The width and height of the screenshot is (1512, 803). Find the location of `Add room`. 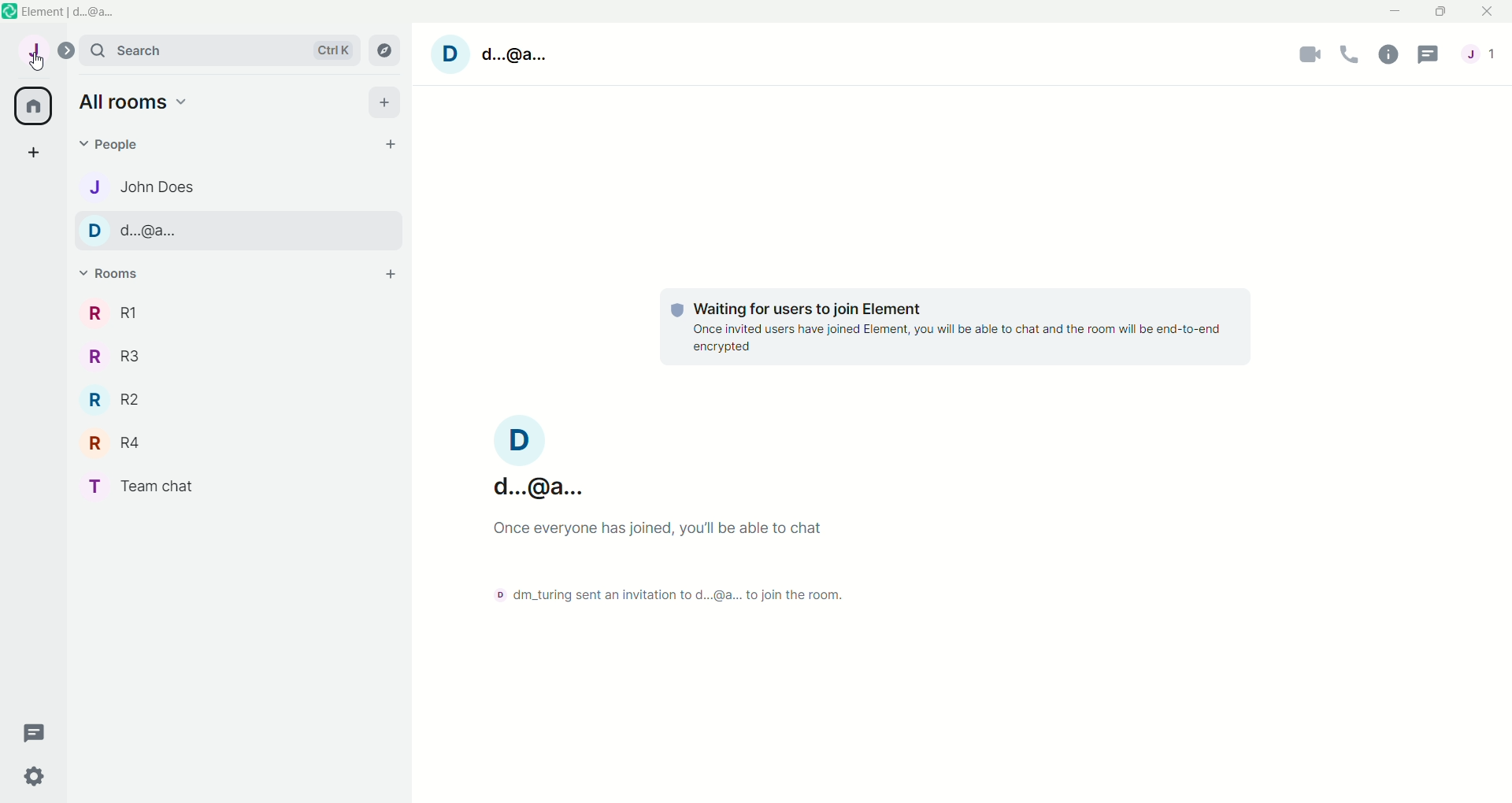

Add room is located at coordinates (391, 274).